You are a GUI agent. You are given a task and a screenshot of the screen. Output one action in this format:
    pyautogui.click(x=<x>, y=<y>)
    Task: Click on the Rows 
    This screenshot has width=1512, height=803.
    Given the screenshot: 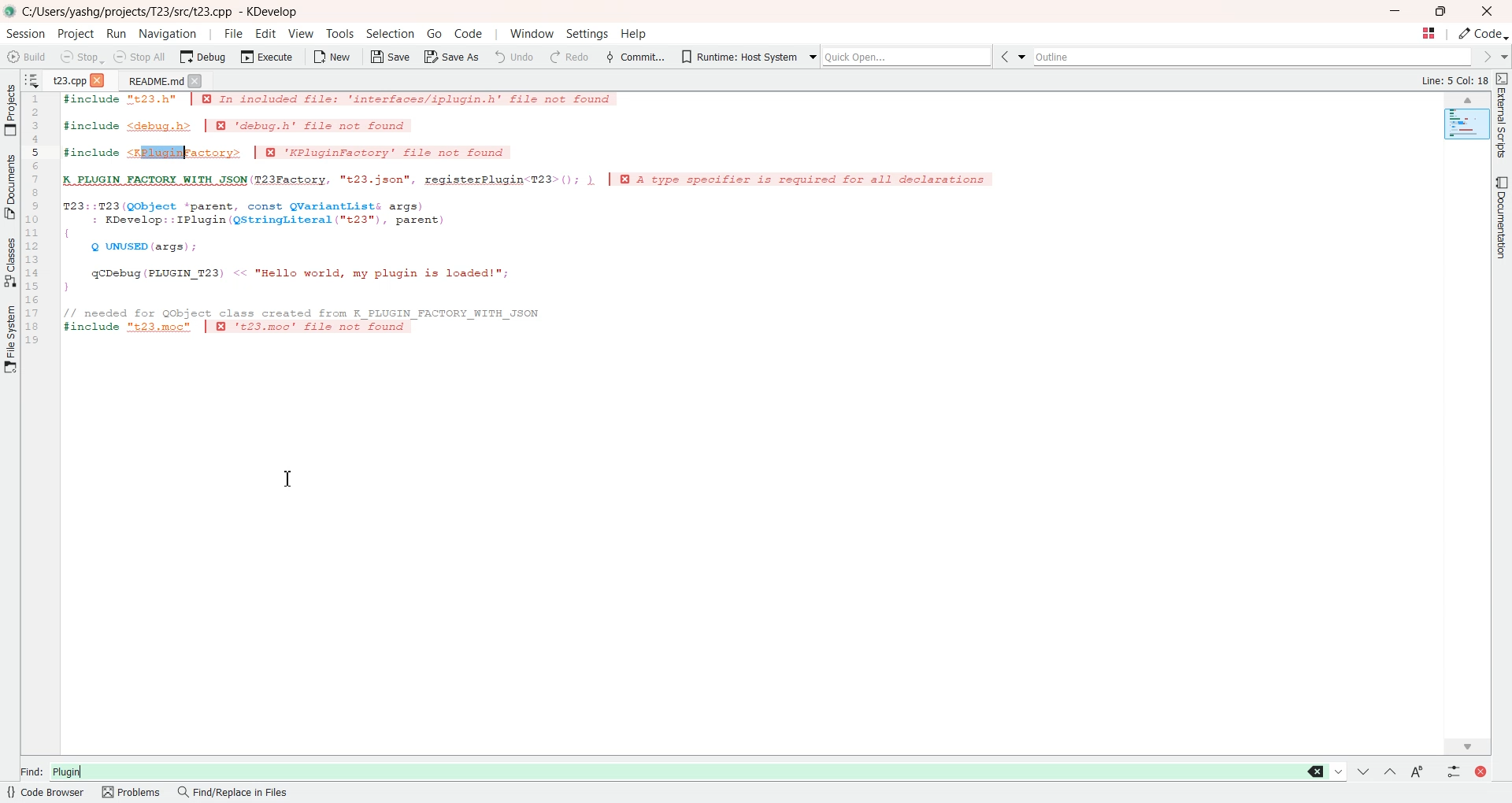 What is the action you would take?
    pyautogui.click(x=36, y=221)
    